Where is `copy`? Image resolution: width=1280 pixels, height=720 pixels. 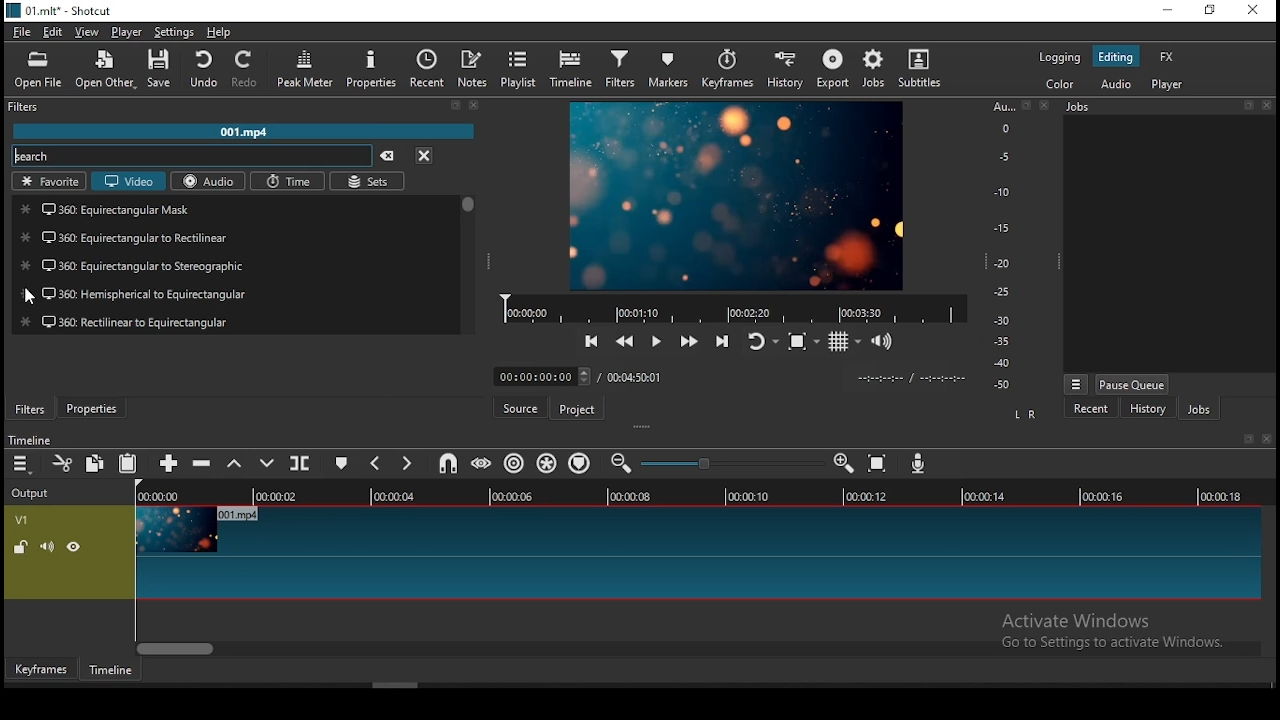
copy is located at coordinates (99, 462).